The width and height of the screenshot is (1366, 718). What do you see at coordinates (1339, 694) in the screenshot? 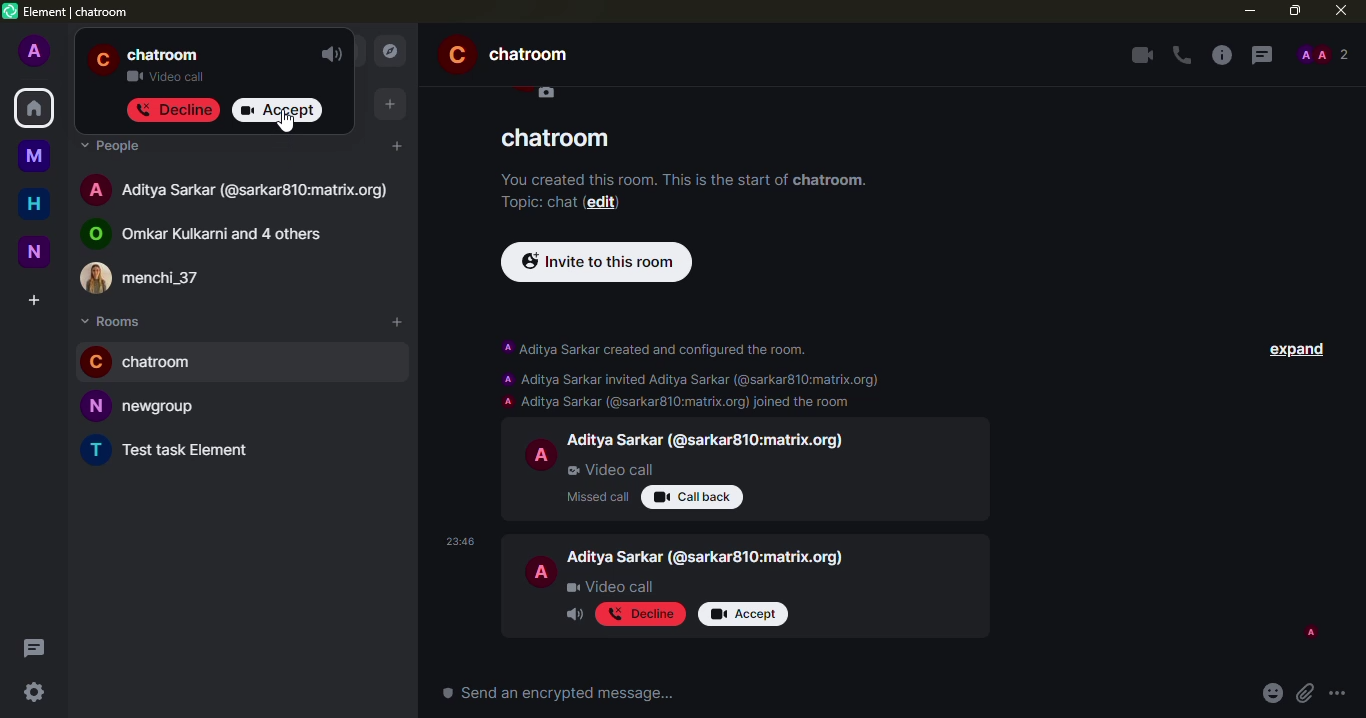
I see `more` at bounding box center [1339, 694].